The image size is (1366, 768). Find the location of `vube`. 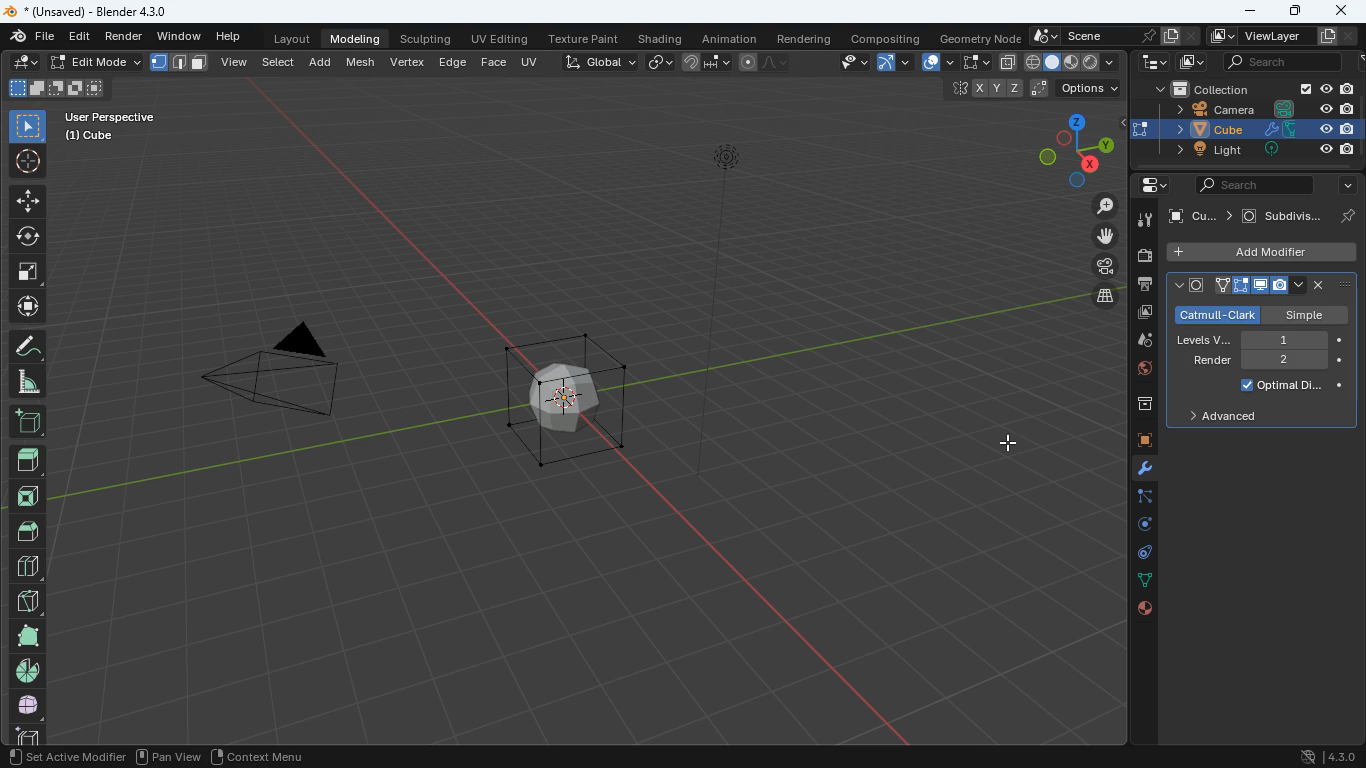

vube is located at coordinates (1204, 216).